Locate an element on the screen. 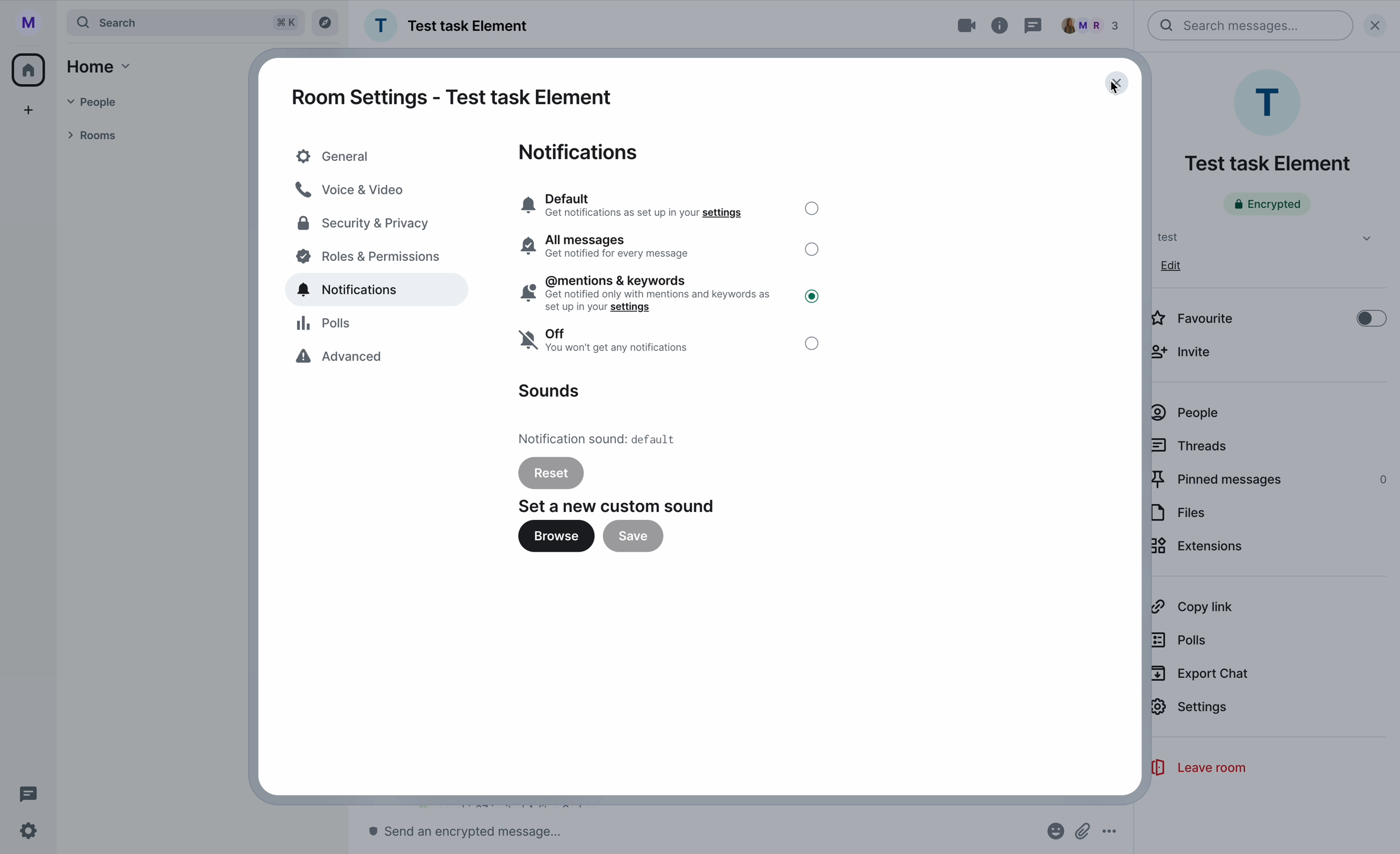 The image size is (1400, 854). search bar is located at coordinates (186, 22).